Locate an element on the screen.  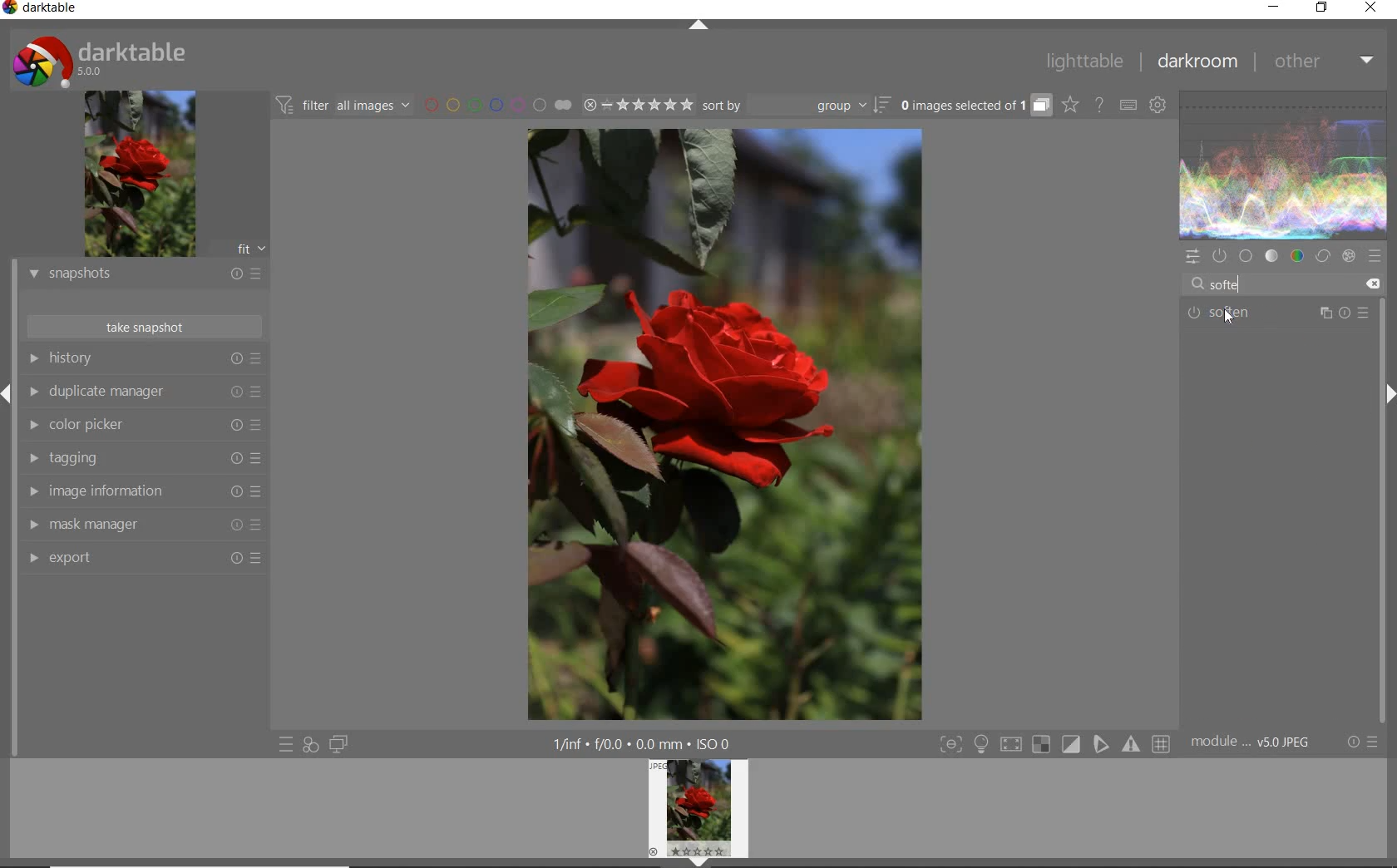
set keyboard shortcuts is located at coordinates (1128, 105).